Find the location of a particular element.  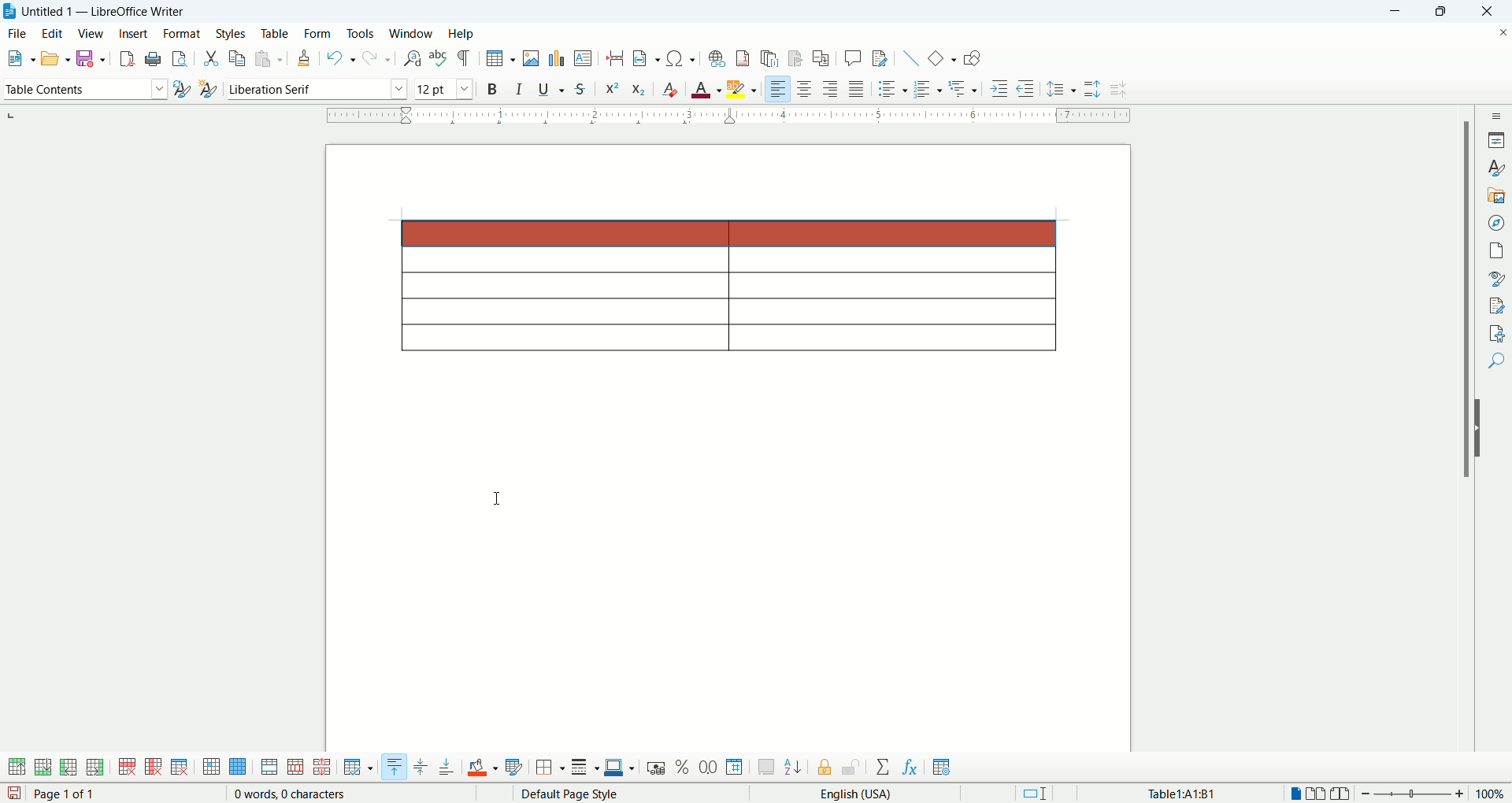

insert line is located at coordinates (911, 57).